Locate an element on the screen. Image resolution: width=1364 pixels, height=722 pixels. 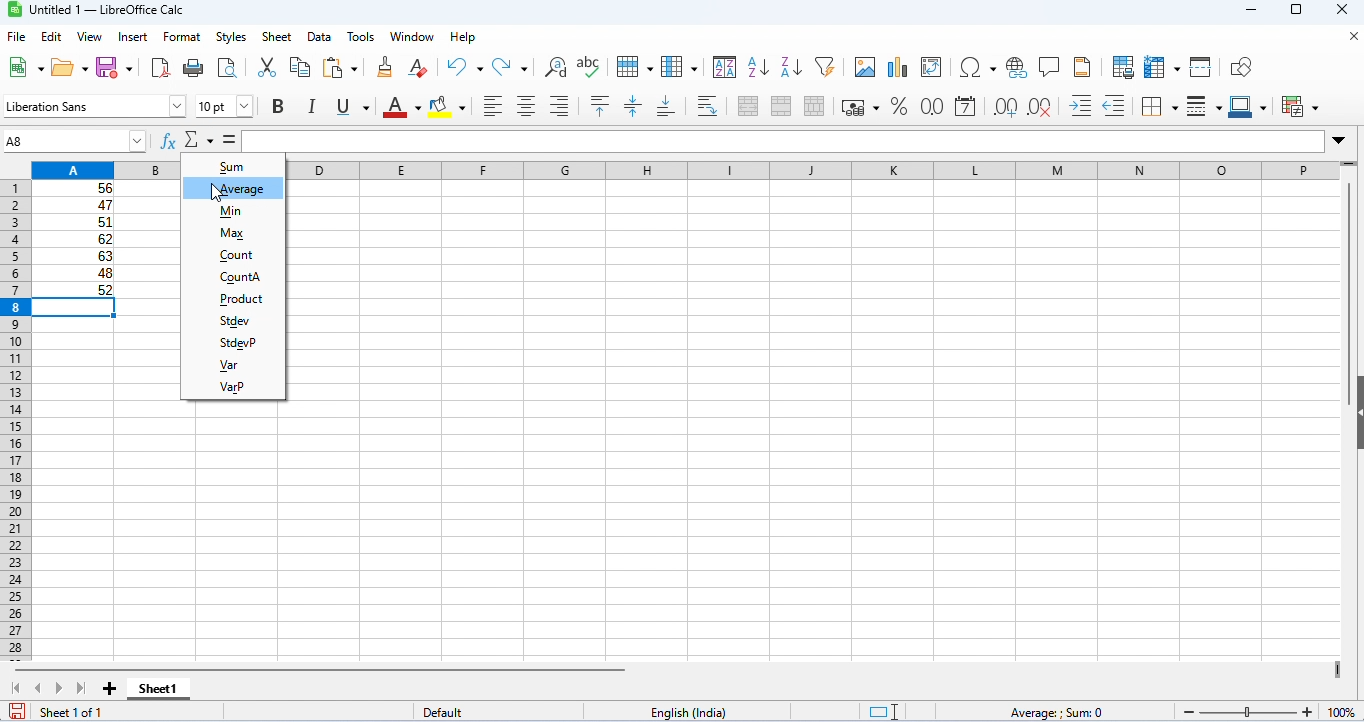
varp is located at coordinates (231, 386).